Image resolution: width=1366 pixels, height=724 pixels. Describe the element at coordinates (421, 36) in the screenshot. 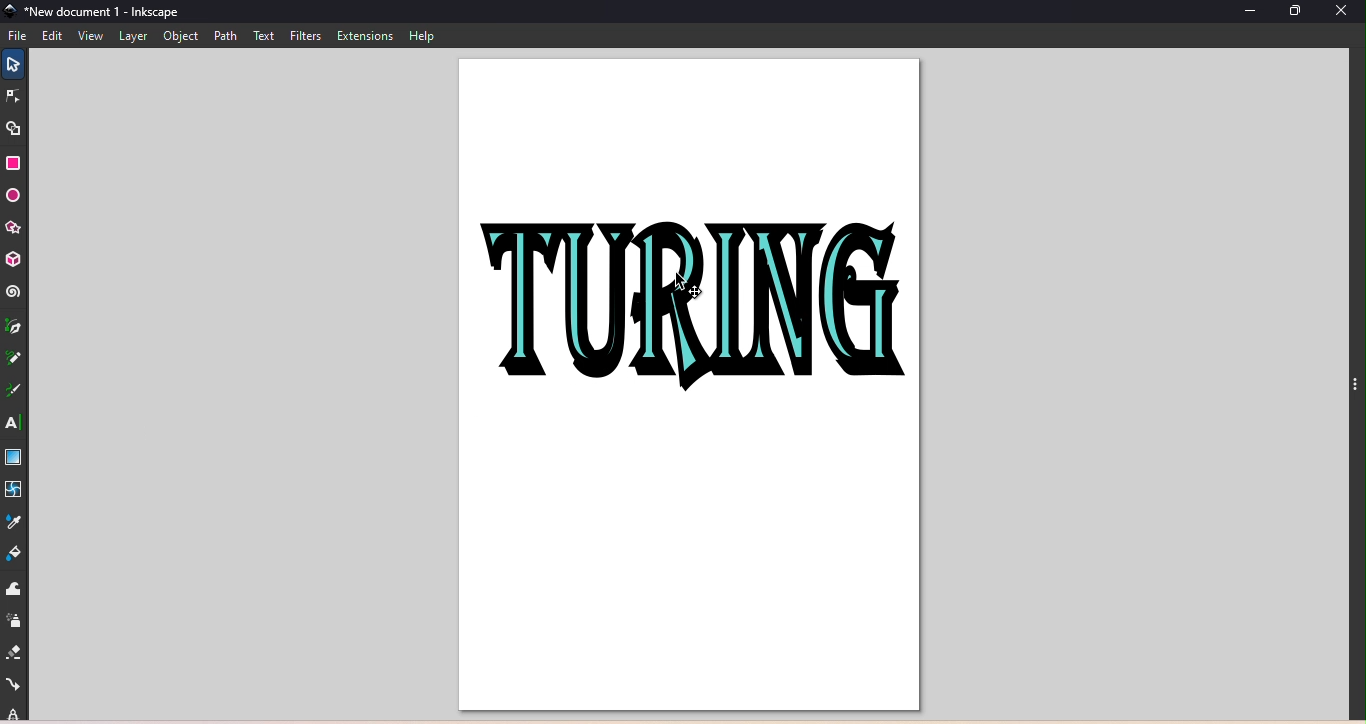

I see `Help` at that location.